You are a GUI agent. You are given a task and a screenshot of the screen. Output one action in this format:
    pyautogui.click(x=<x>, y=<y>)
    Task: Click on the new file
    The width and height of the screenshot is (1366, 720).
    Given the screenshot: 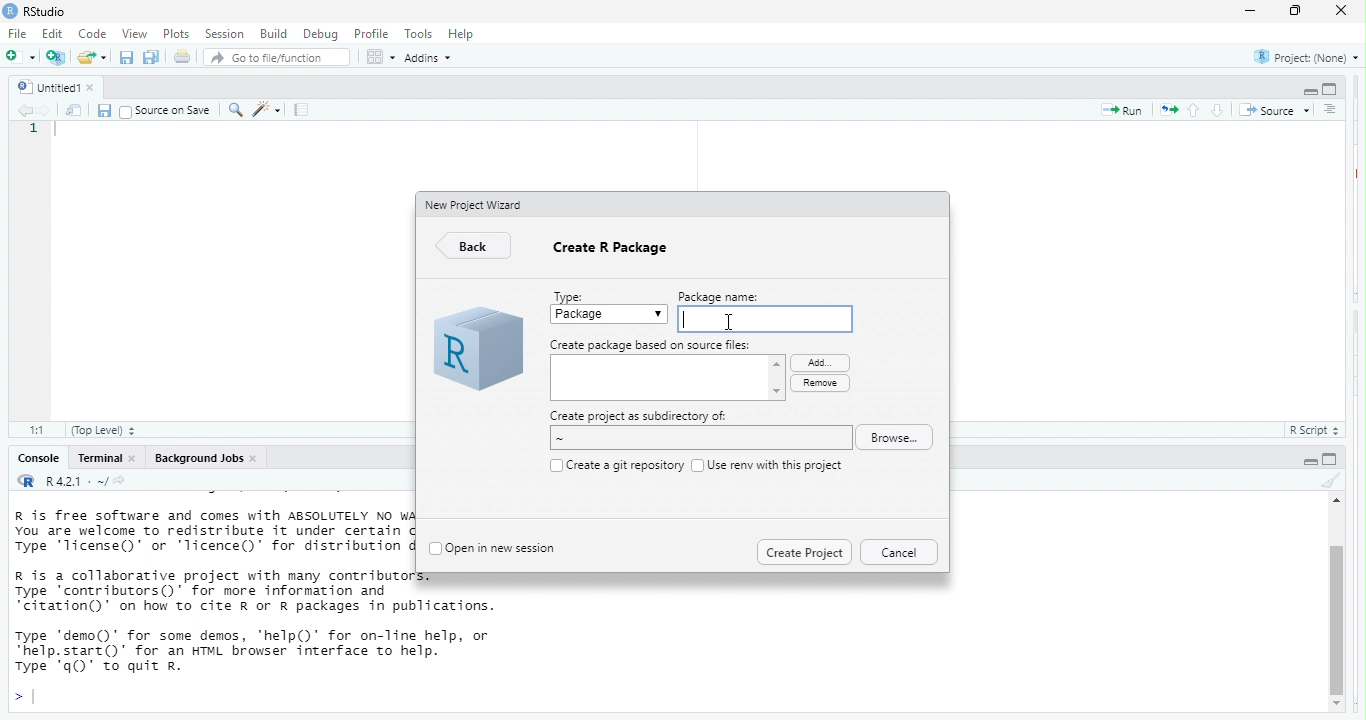 What is the action you would take?
    pyautogui.click(x=19, y=57)
    